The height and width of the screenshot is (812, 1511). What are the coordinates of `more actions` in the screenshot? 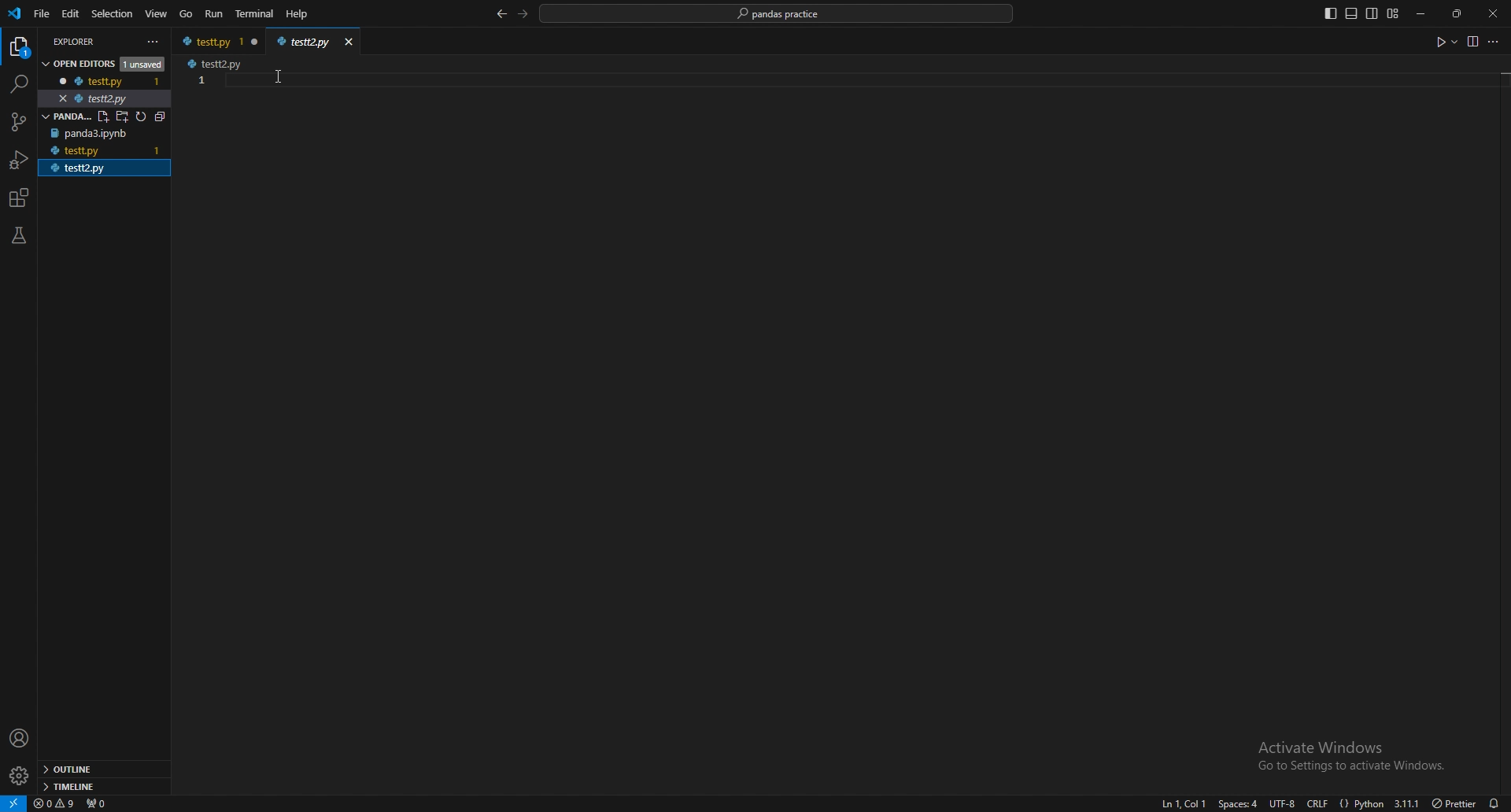 It's located at (153, 42).